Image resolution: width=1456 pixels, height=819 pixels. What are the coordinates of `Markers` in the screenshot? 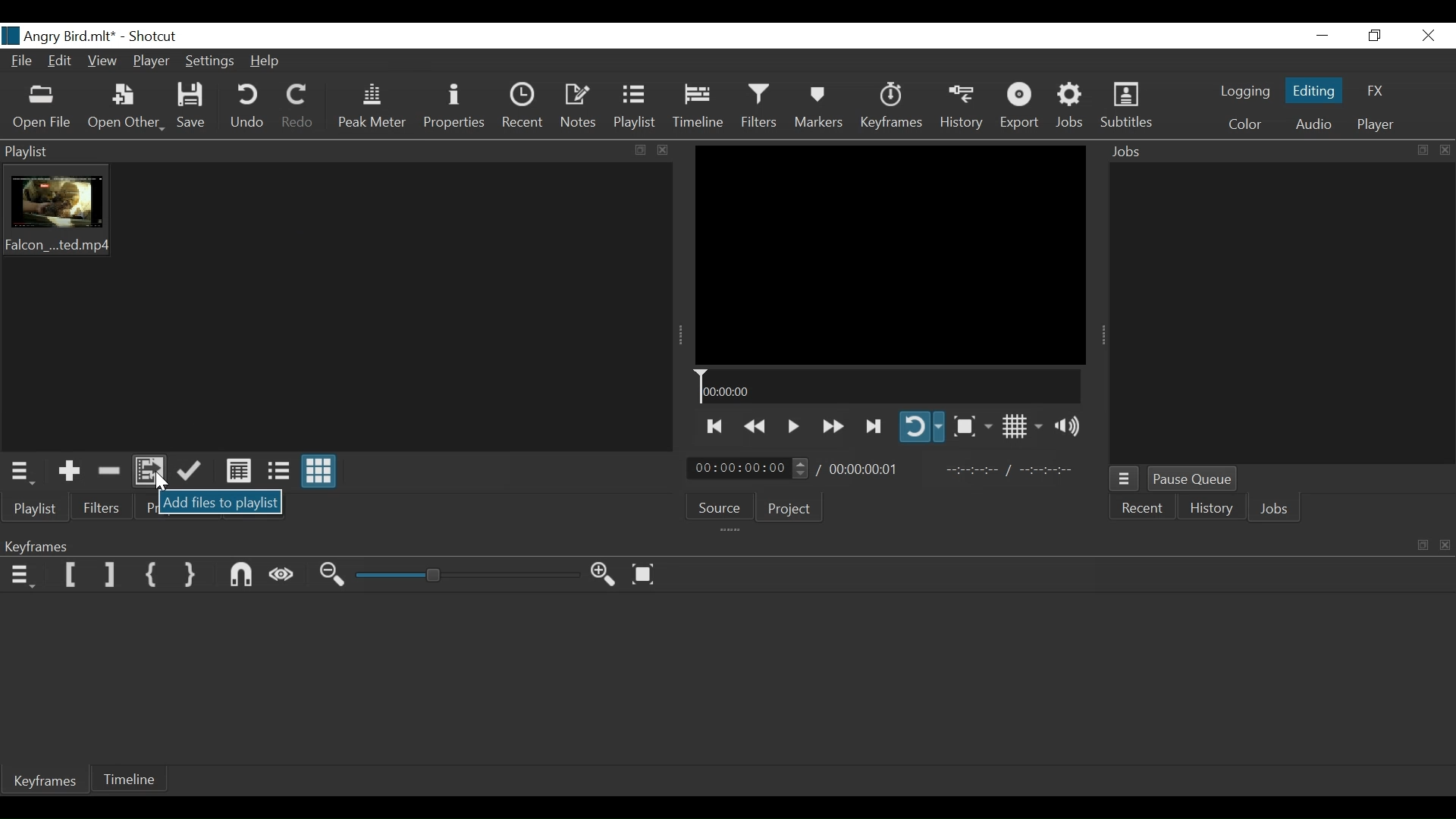 It's located at (821, 108).